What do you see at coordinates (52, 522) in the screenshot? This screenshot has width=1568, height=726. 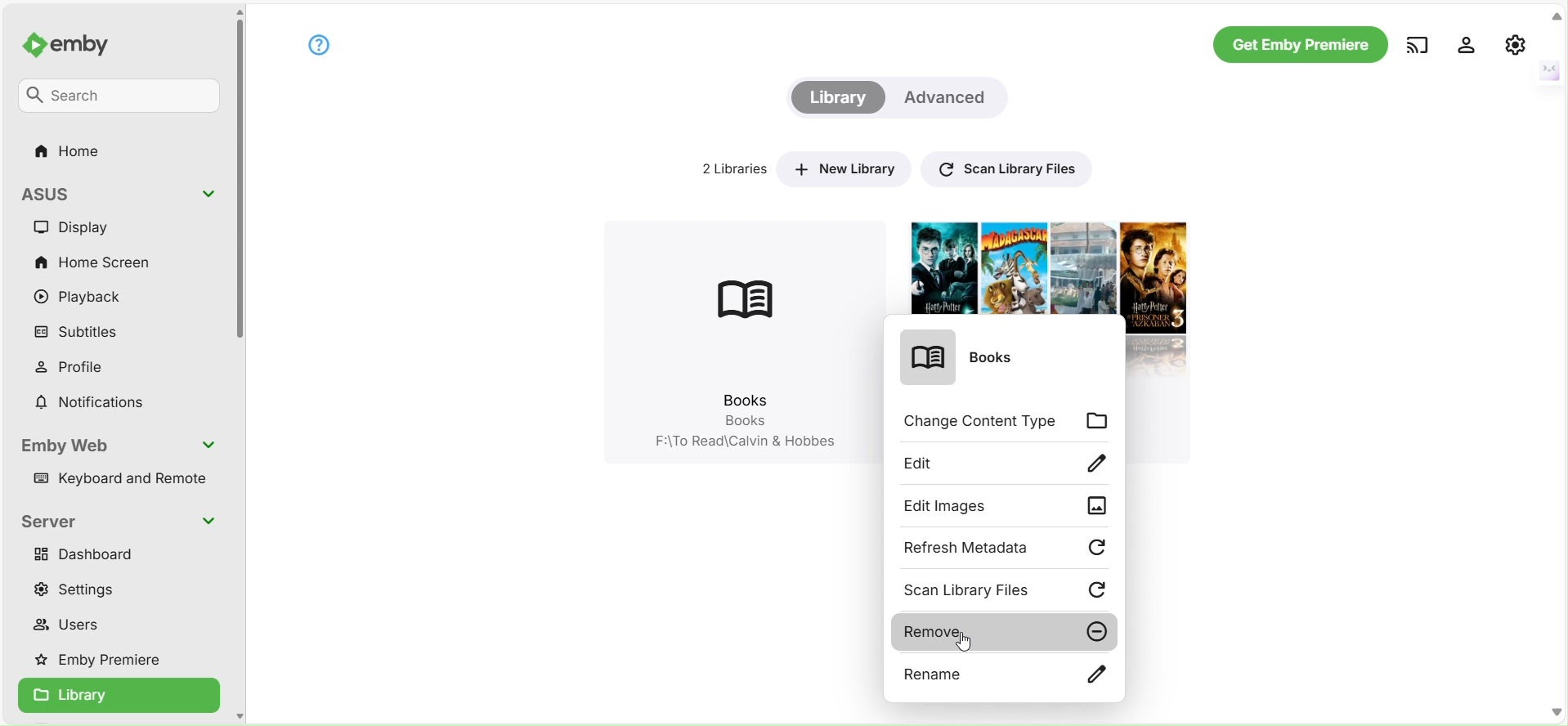 I see `Server` at bounding box center [52, 522].